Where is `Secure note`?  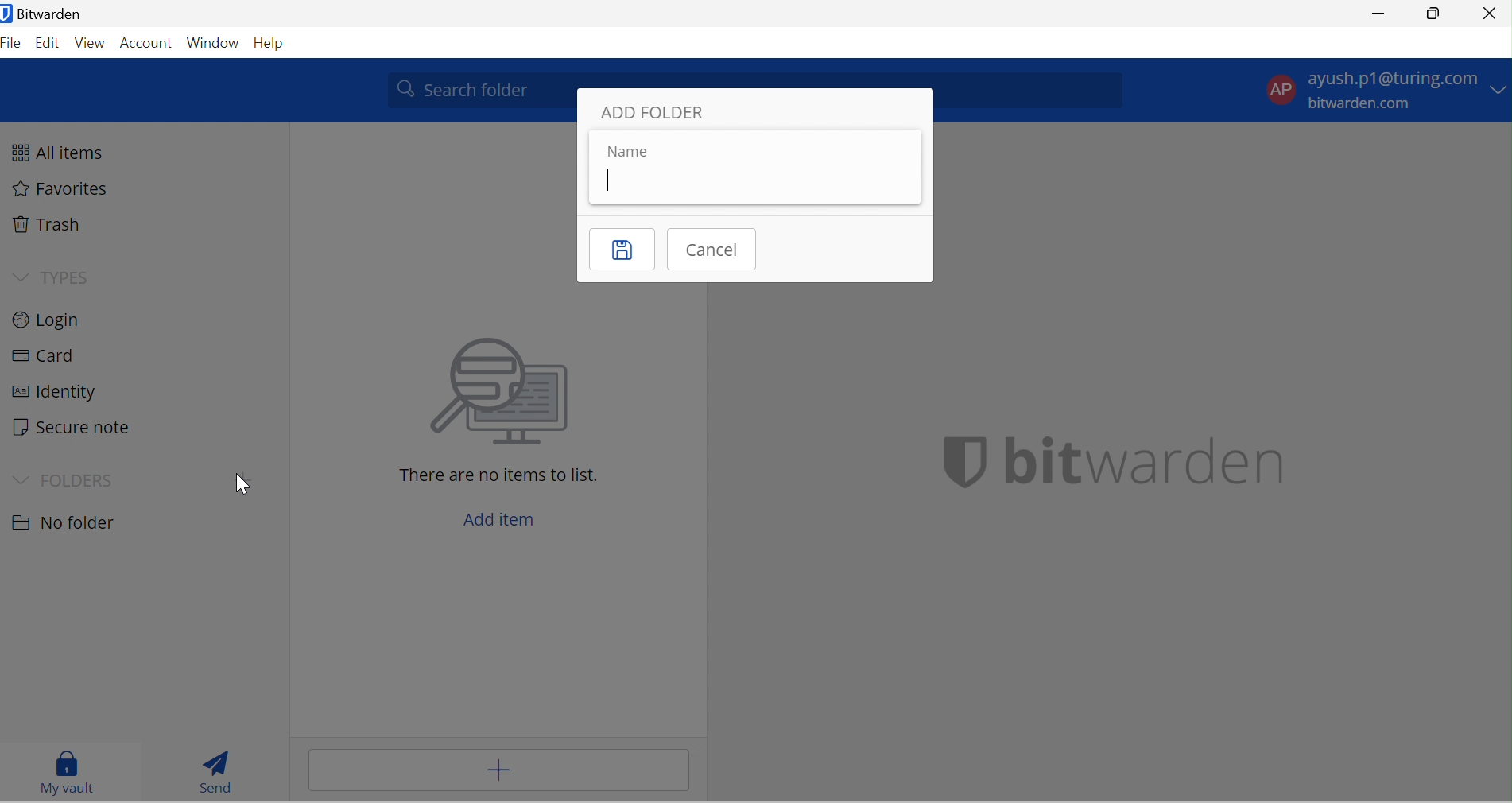
Secure note is located at coordinates (77, 428).